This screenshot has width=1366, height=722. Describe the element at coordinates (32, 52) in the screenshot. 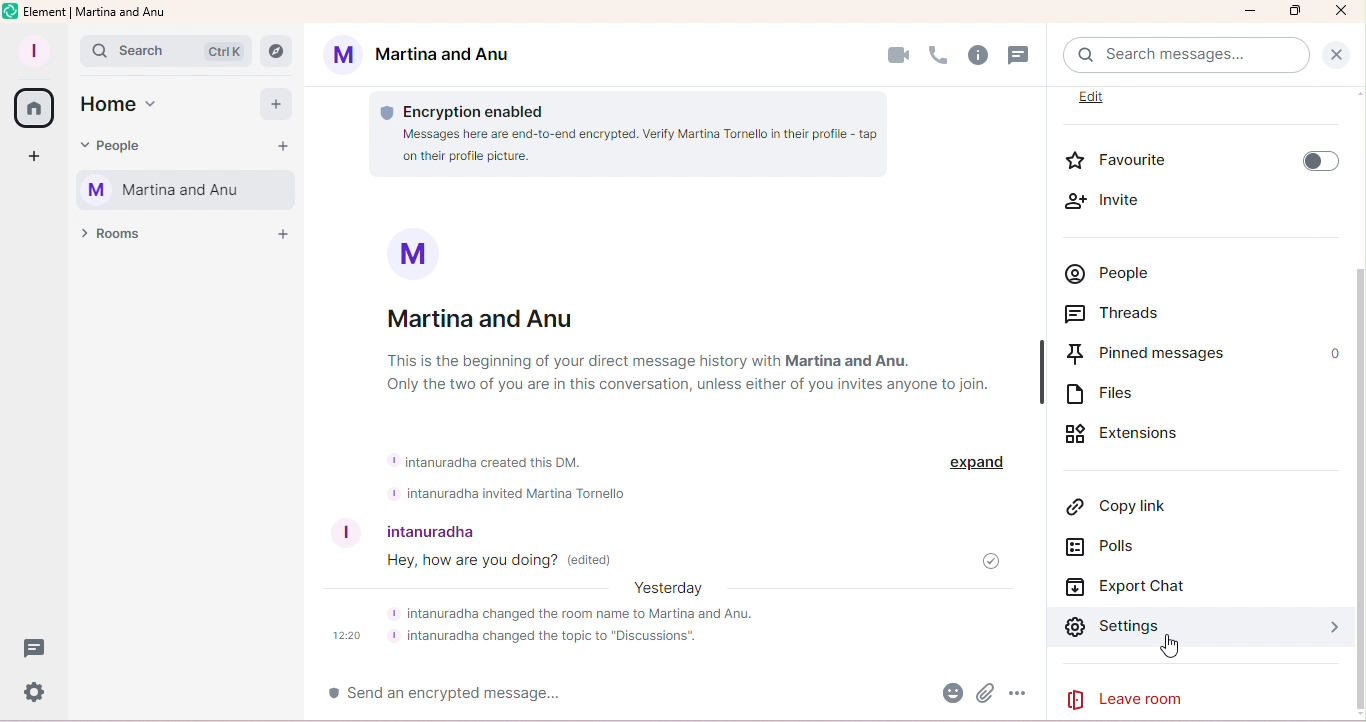

I see `Profile` at that location.